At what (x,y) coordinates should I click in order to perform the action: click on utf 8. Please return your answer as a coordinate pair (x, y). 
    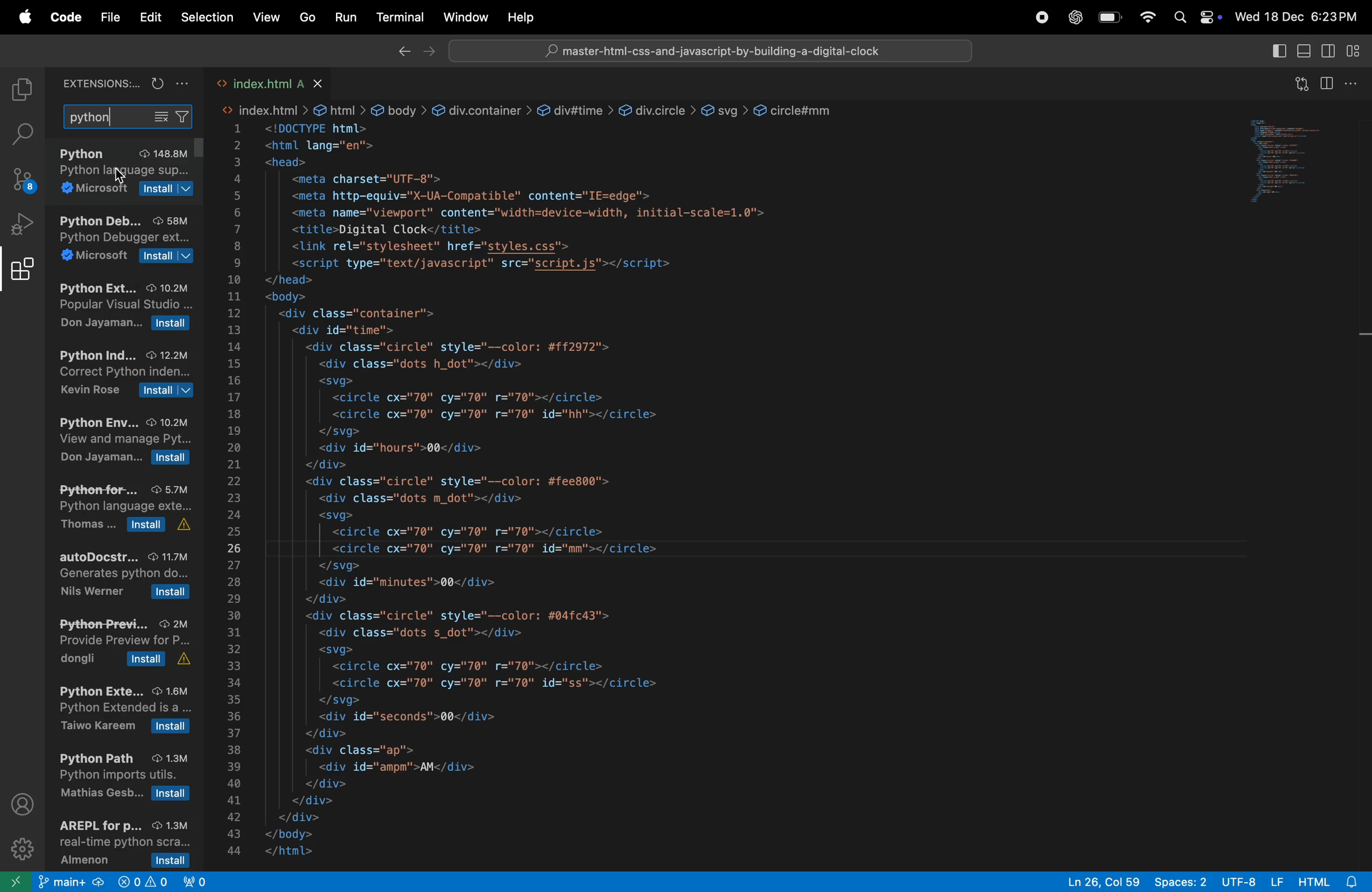
    Looking at the image, I should click on (1250, 882).